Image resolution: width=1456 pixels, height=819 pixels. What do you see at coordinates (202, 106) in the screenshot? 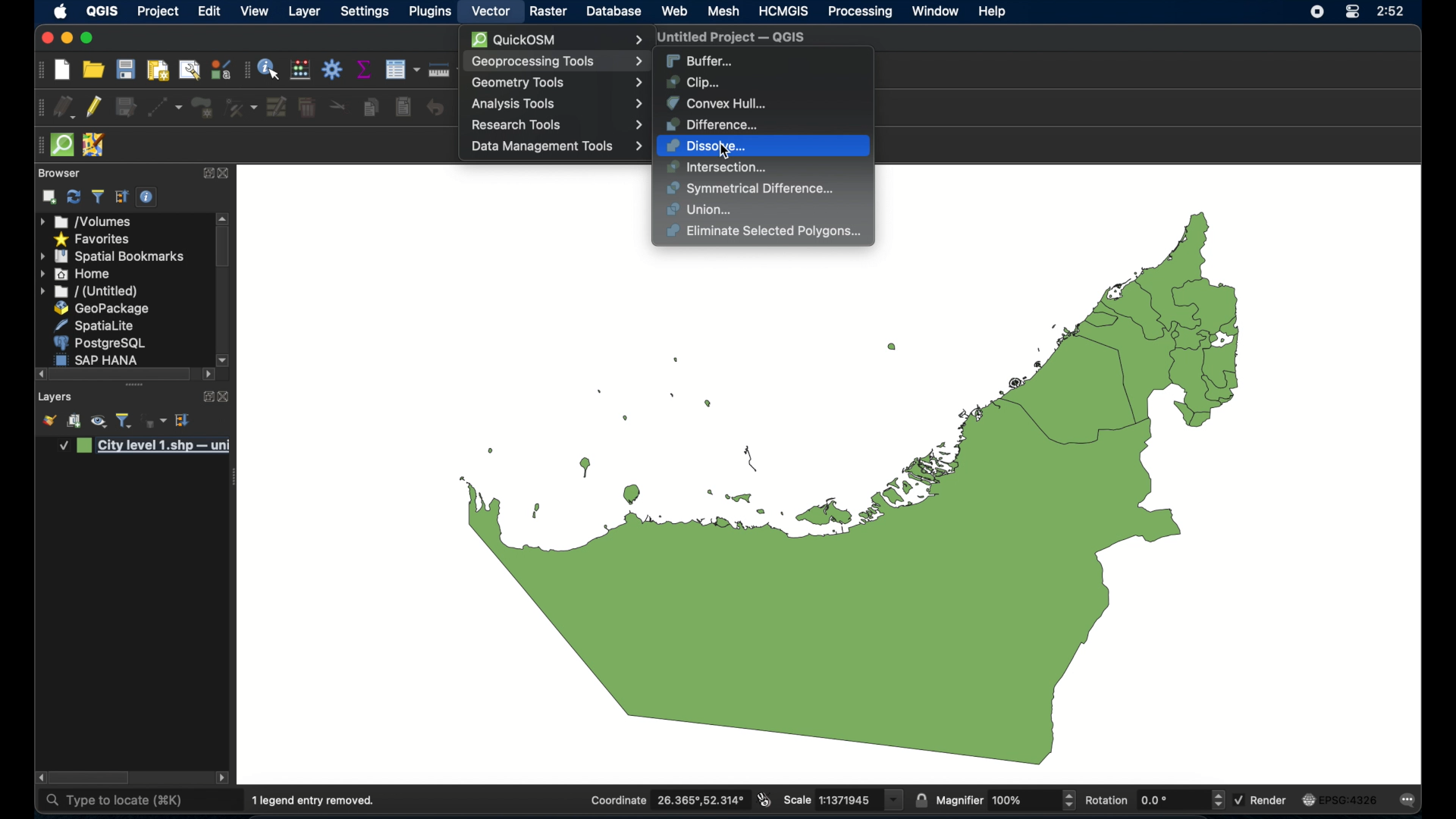
I see `add polygon feature` at bounding box center [202, 106].